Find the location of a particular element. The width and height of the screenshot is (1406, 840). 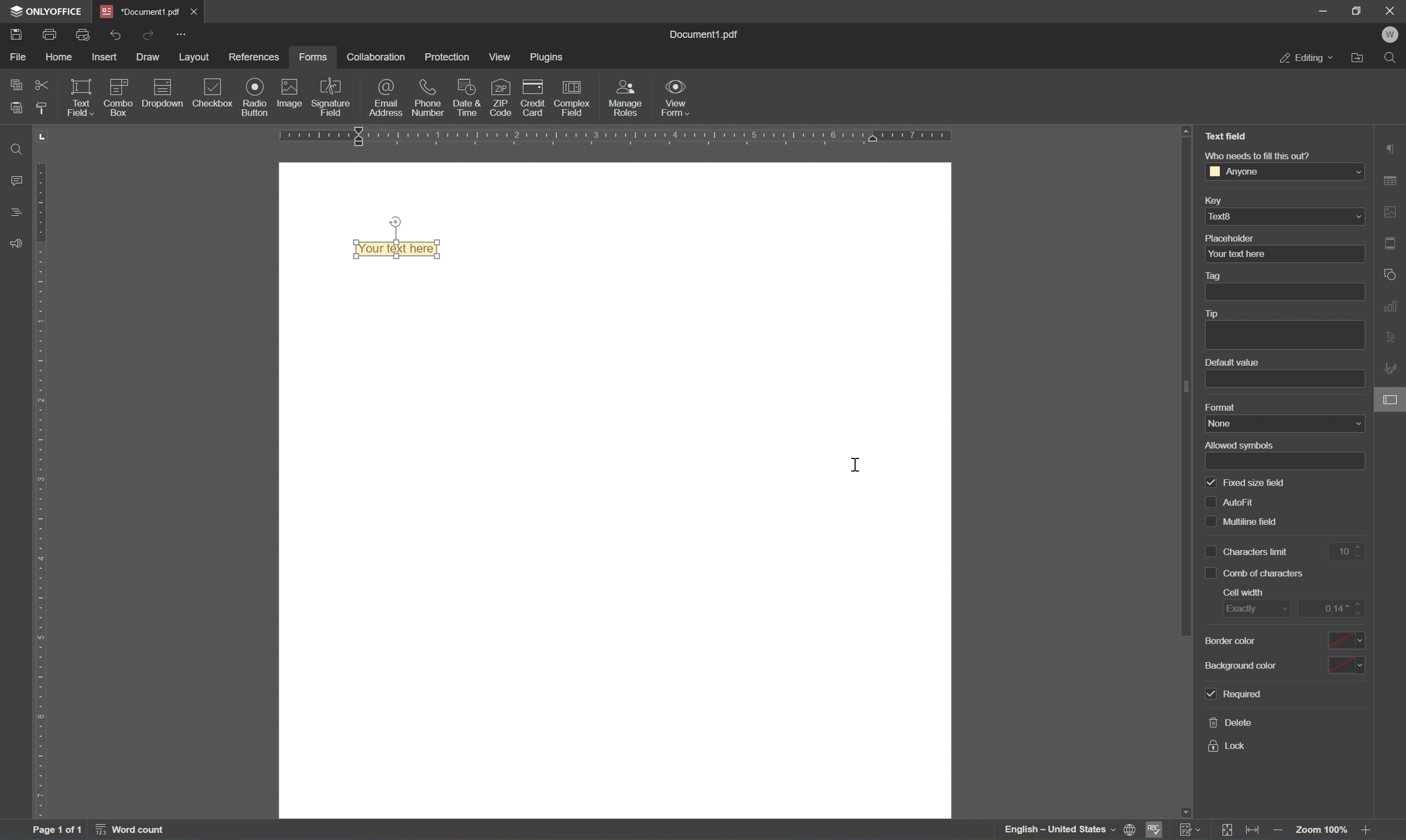

signature settings is located at coordinates (1392, 368).